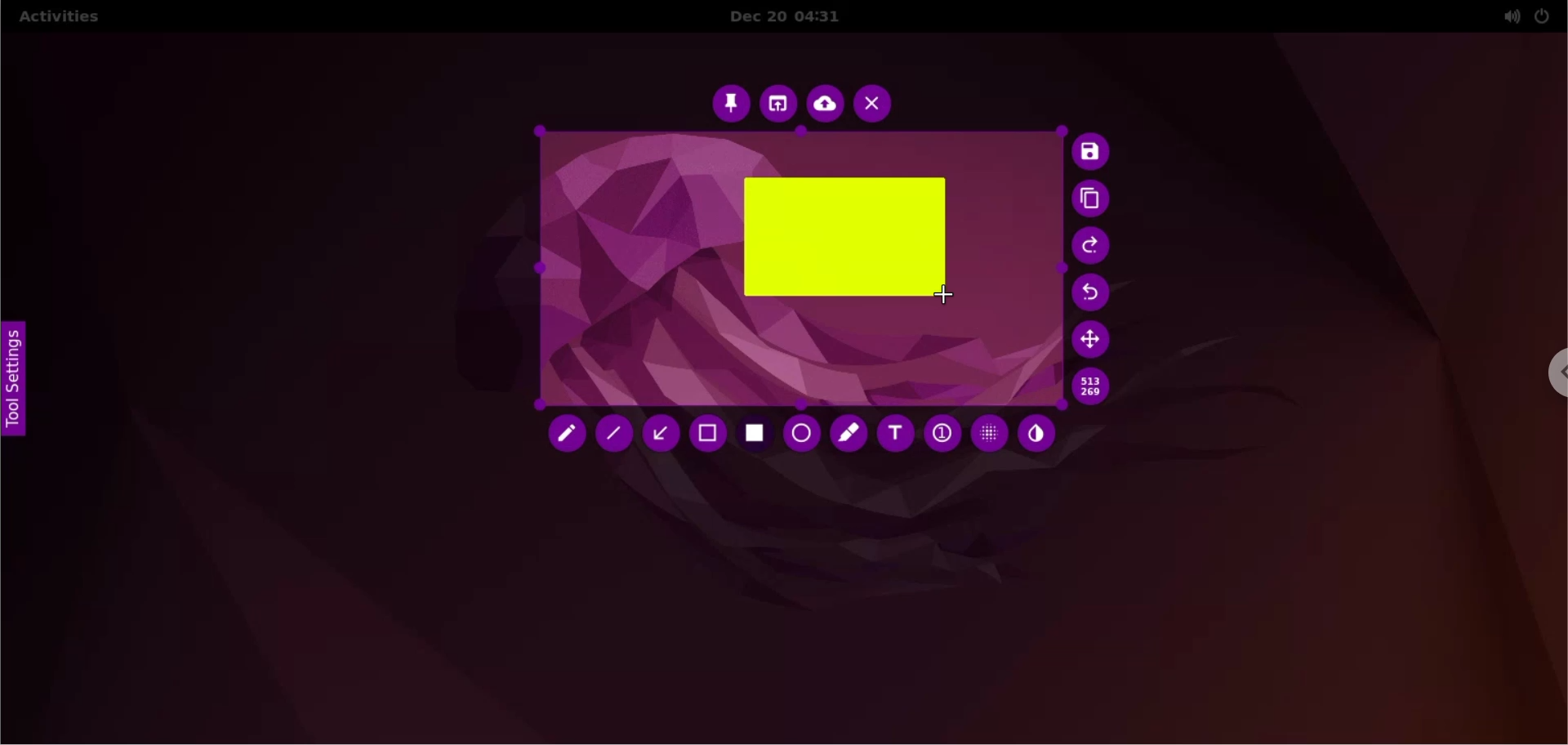 The height and width of the screenshot is (745, 1568). What do you see at coordinates (950, 294) in the screenshot?
I see `cursor ` at bounding box center [950, 294].